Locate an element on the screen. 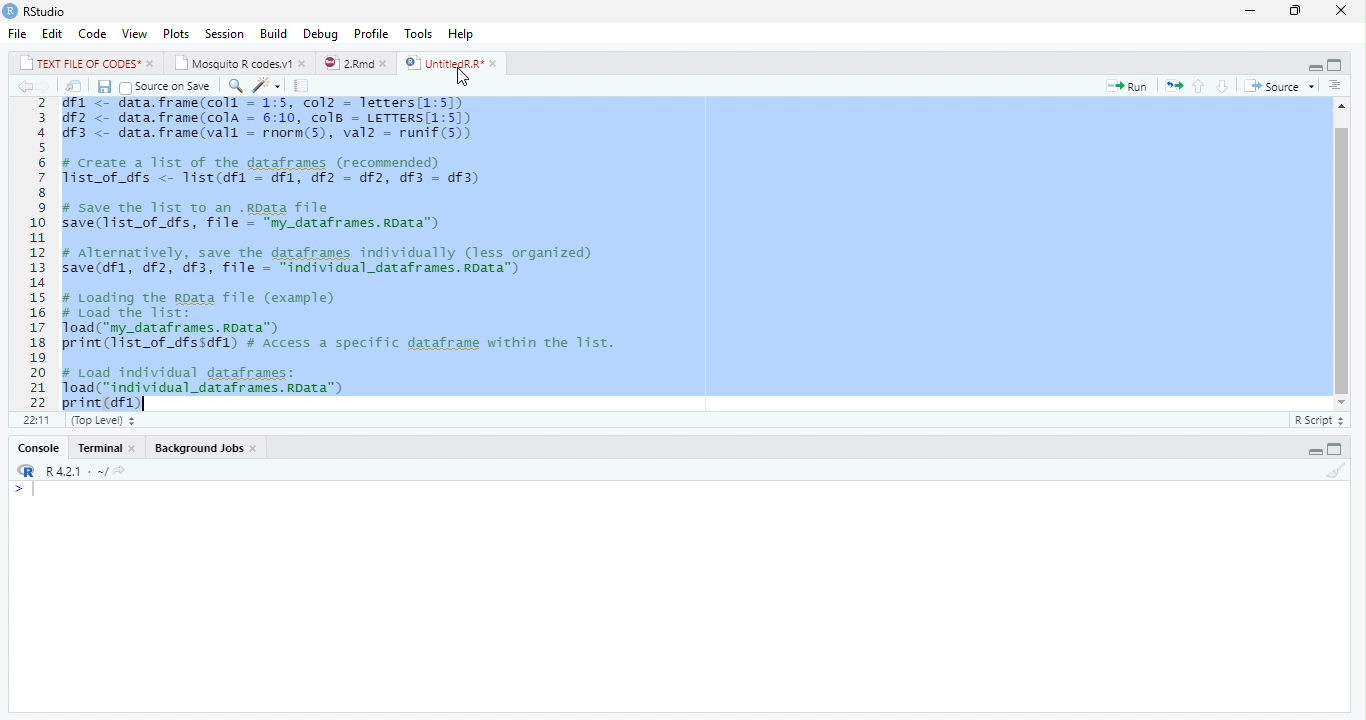 The width and height of the screenshot is (1366, 720). View is located at coordinates (135, 34).